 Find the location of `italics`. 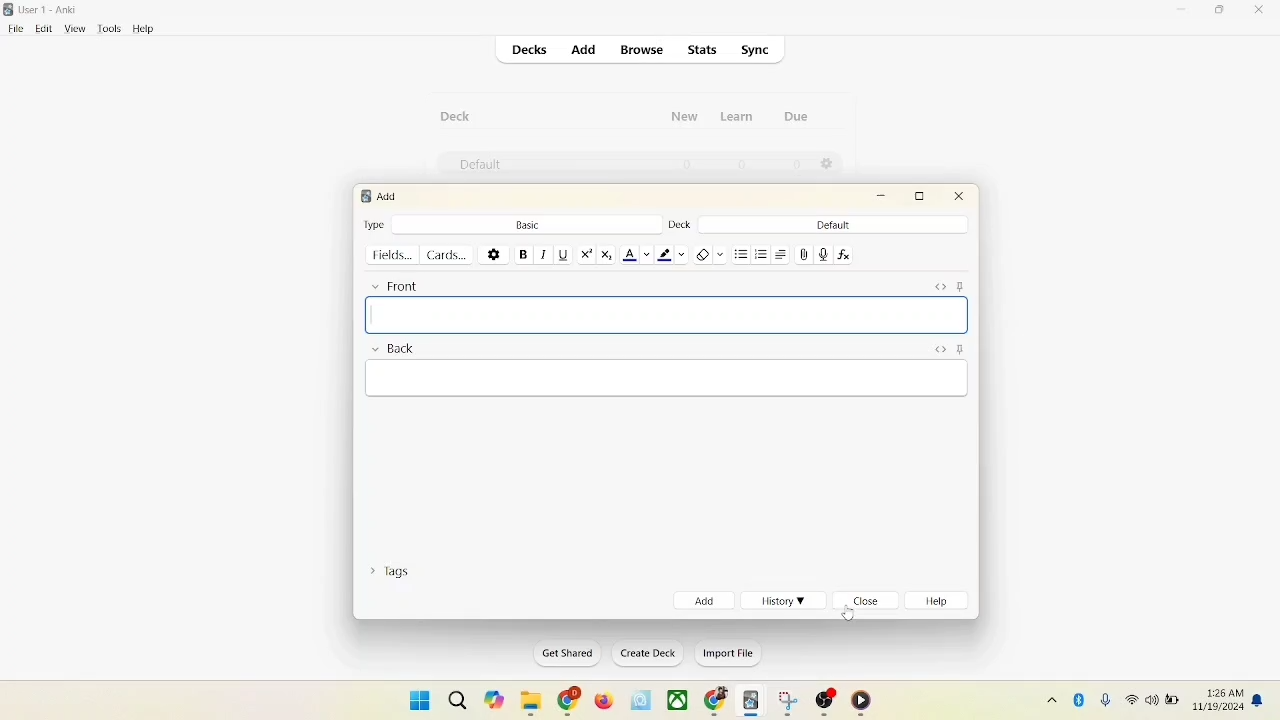

italics is located at coordinates (542, 255).